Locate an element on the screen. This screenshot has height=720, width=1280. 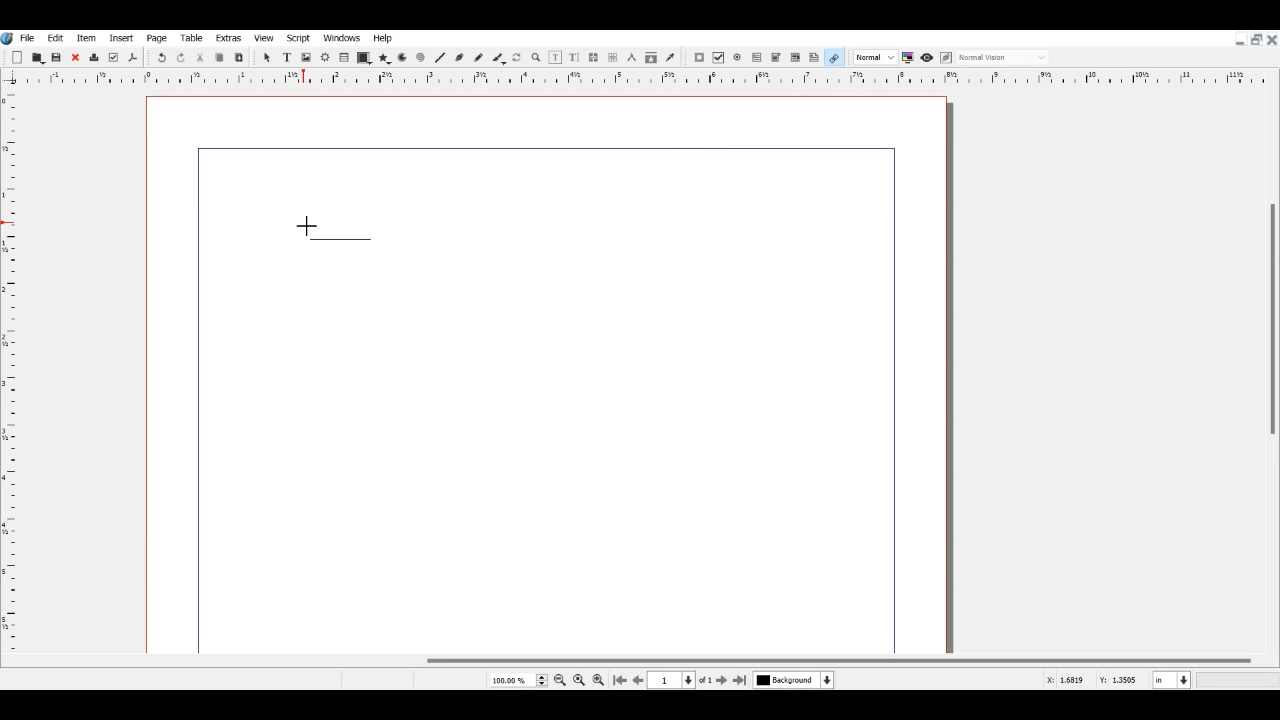
Zoom in is located at coordinates (598, 679).